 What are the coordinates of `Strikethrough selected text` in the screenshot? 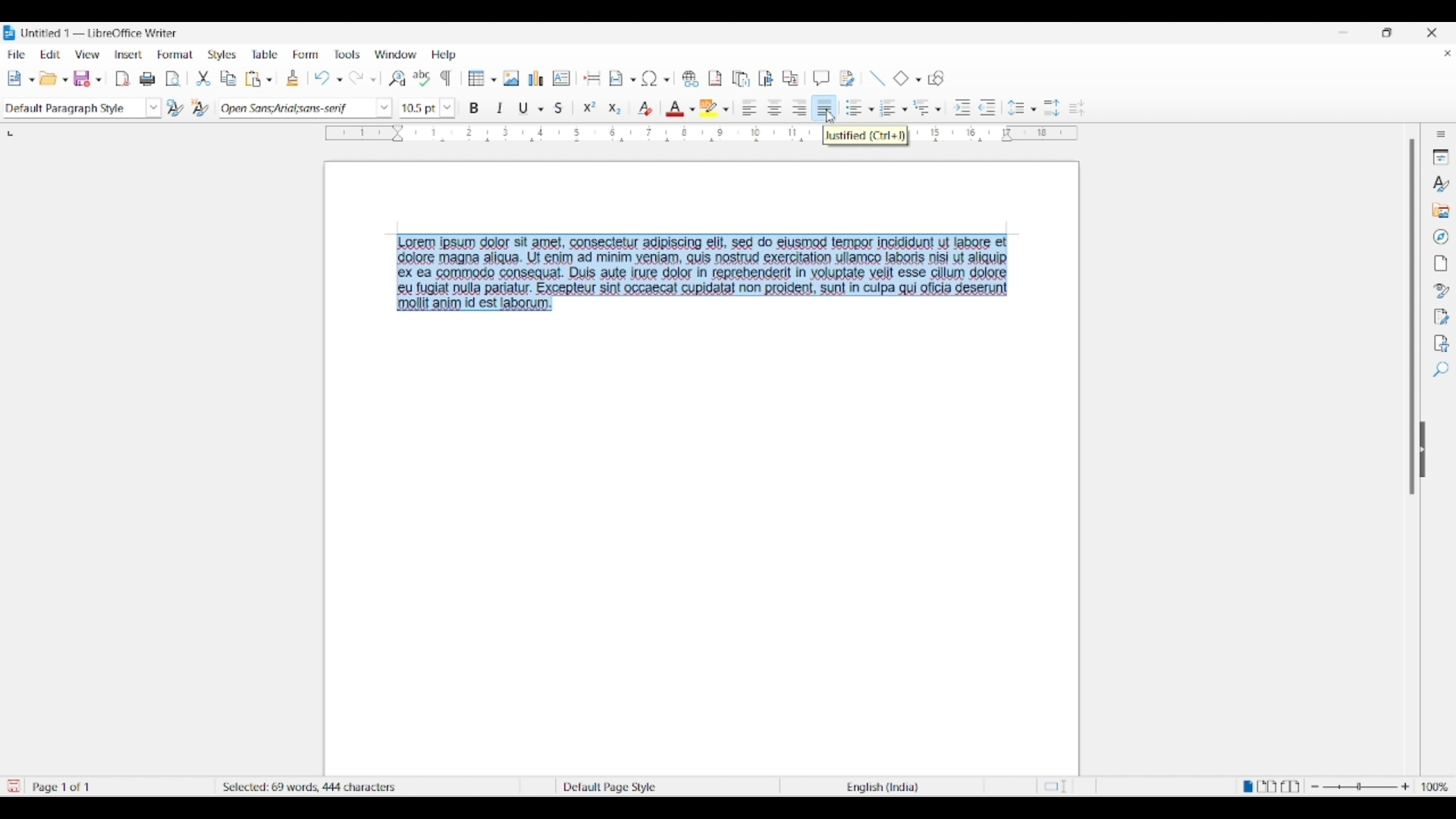 It's located at (560, 107).